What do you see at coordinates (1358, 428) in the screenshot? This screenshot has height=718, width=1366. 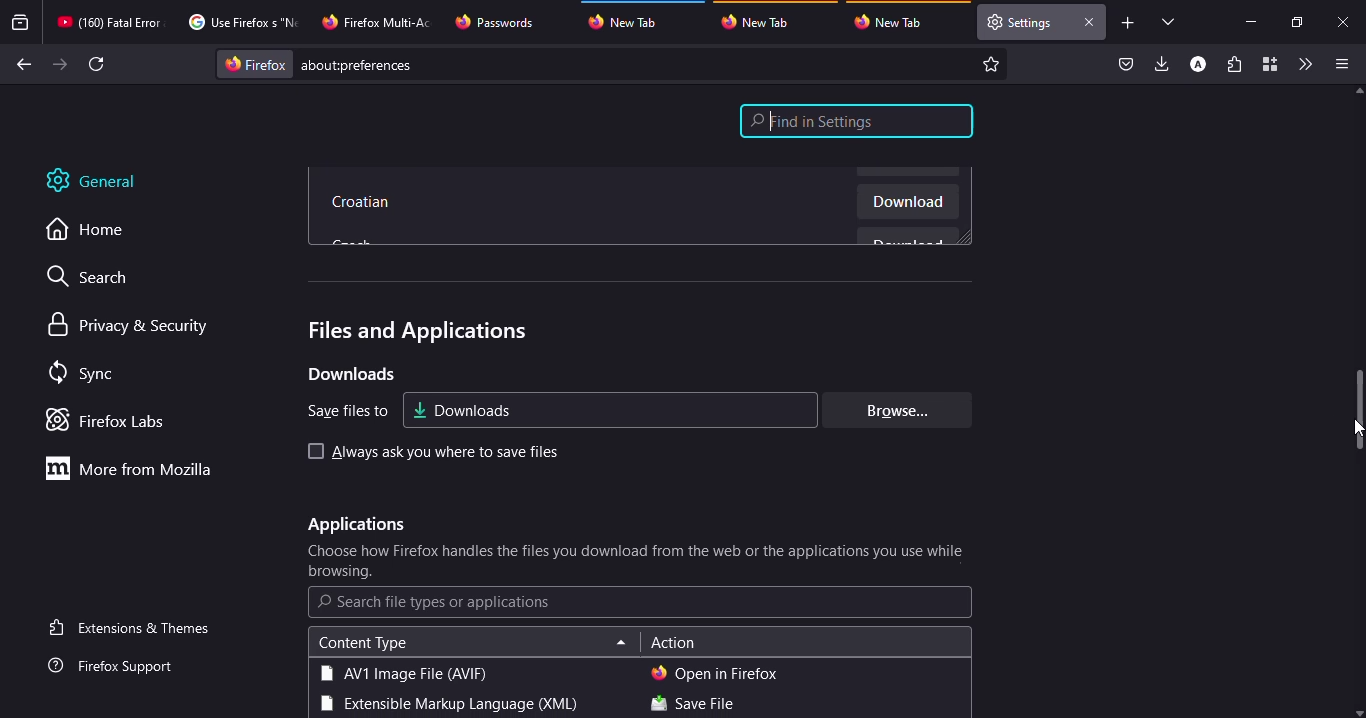 I see `cursor` at bounding box center [1358, 428].